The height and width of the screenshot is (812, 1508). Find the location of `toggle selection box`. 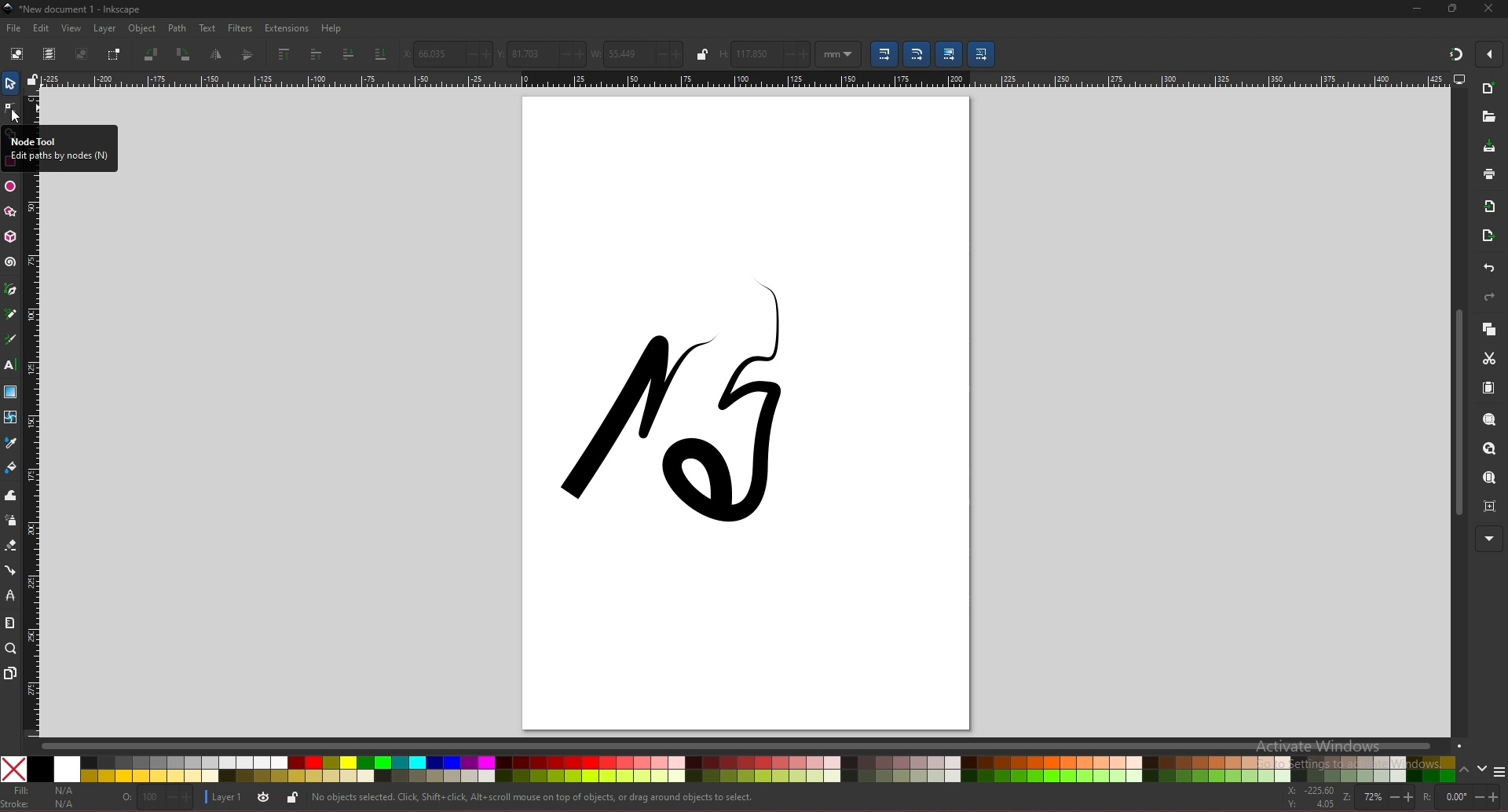

toggle selection box is located at coordinates (115, 54).